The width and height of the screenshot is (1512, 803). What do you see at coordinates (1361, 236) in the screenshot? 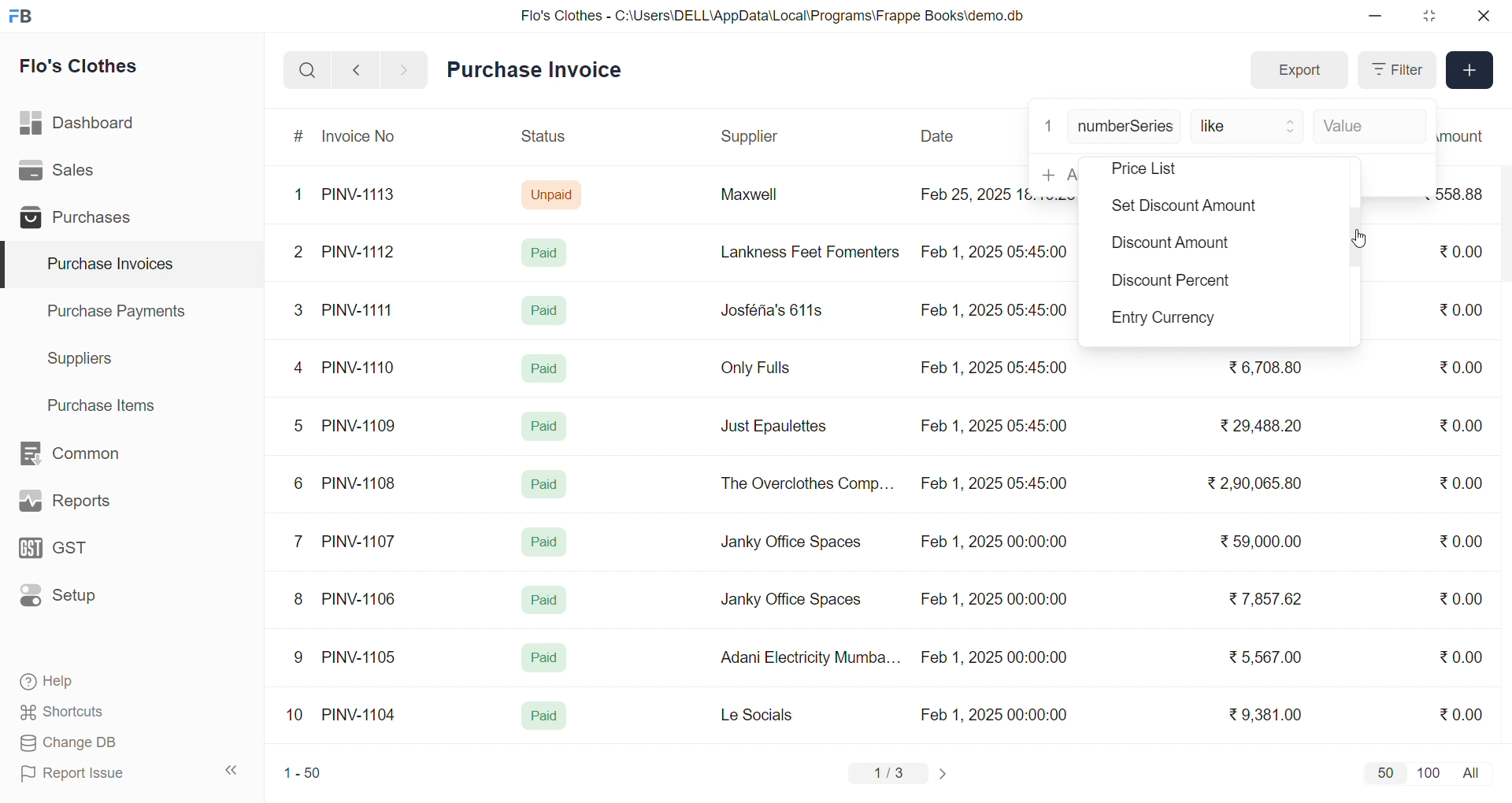
I see `cursor` at bounding box center [1361, 236].